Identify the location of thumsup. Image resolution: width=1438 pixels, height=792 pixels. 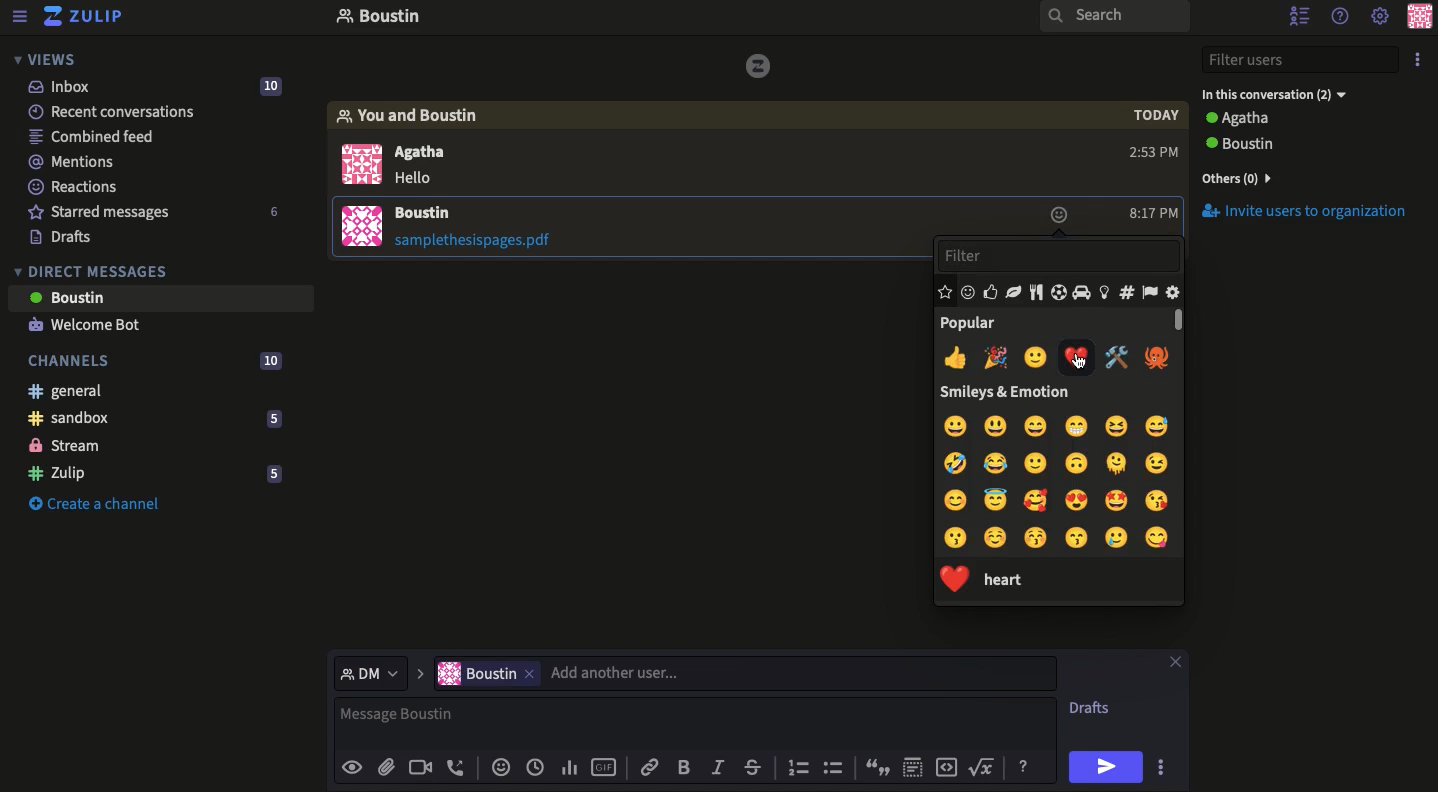
(957, 357).